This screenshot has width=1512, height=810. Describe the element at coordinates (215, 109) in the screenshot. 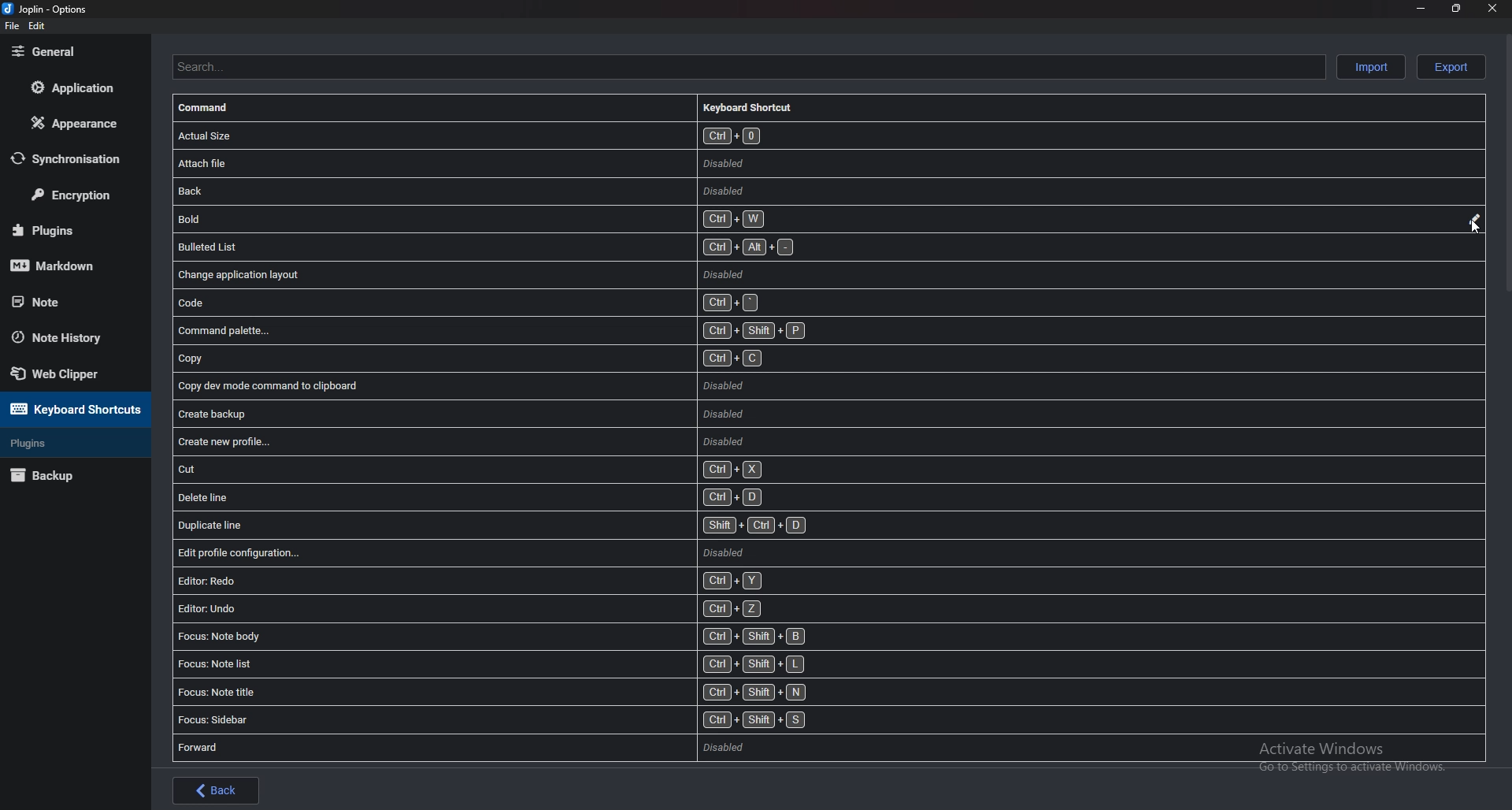

I see `Command` at that location.